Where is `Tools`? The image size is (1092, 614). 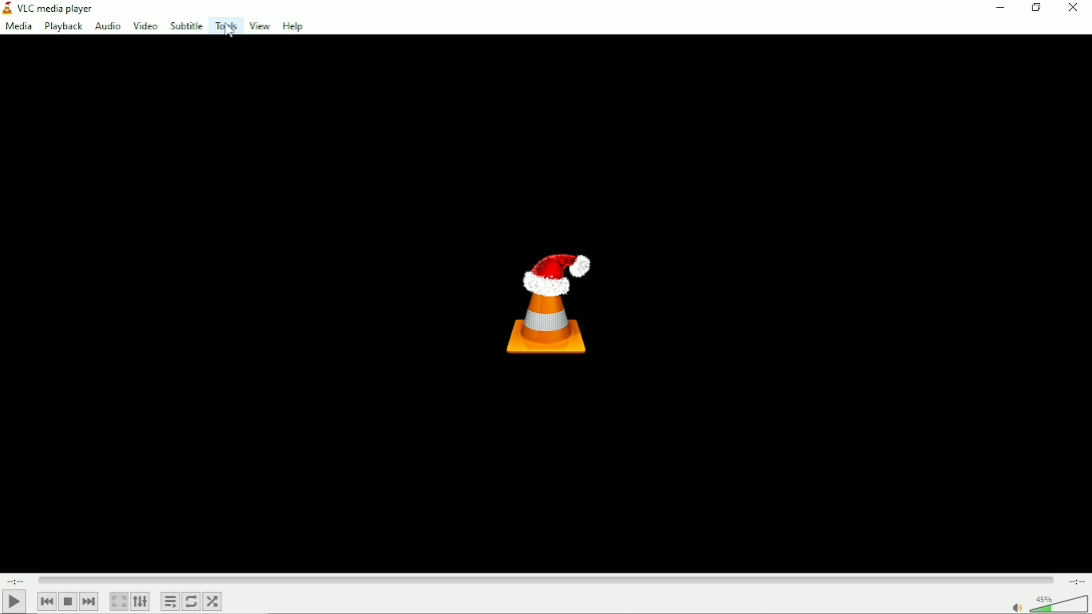 Tools is located at coordinates (226, 25).